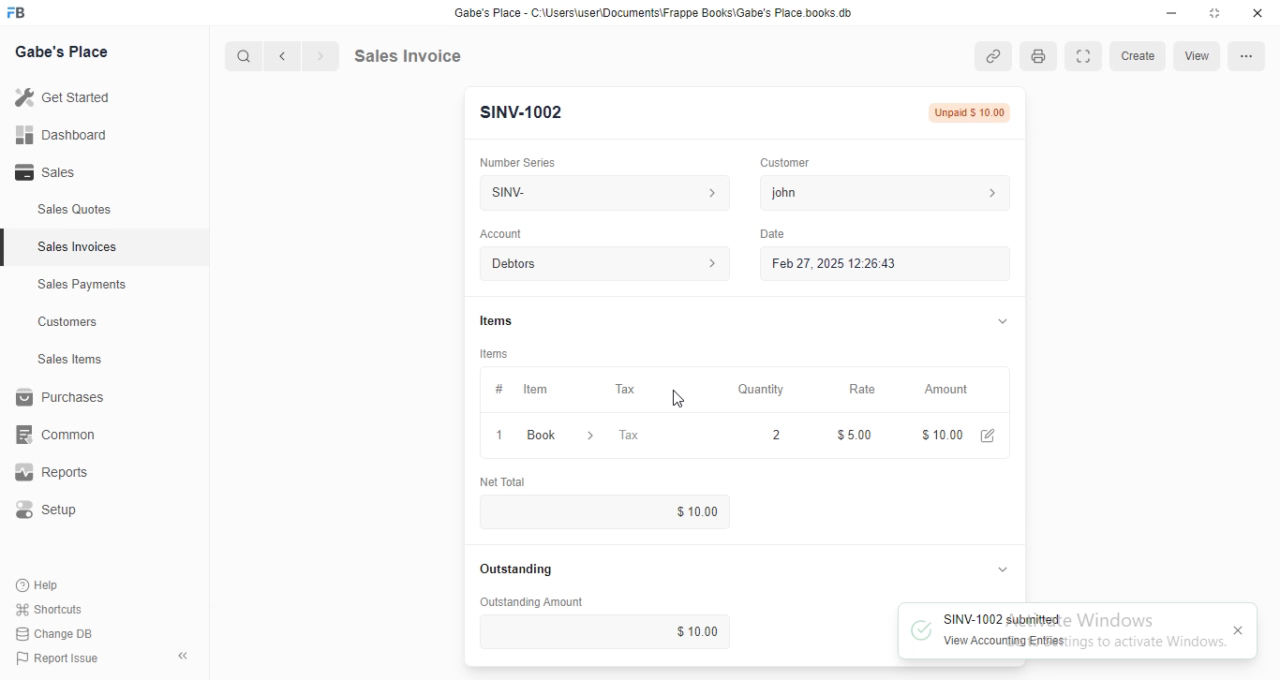 This screenshot has height=680, width=1280. Describe the element at coordinates (756, 388) in the screenshot. I see `Quantity` at that location.